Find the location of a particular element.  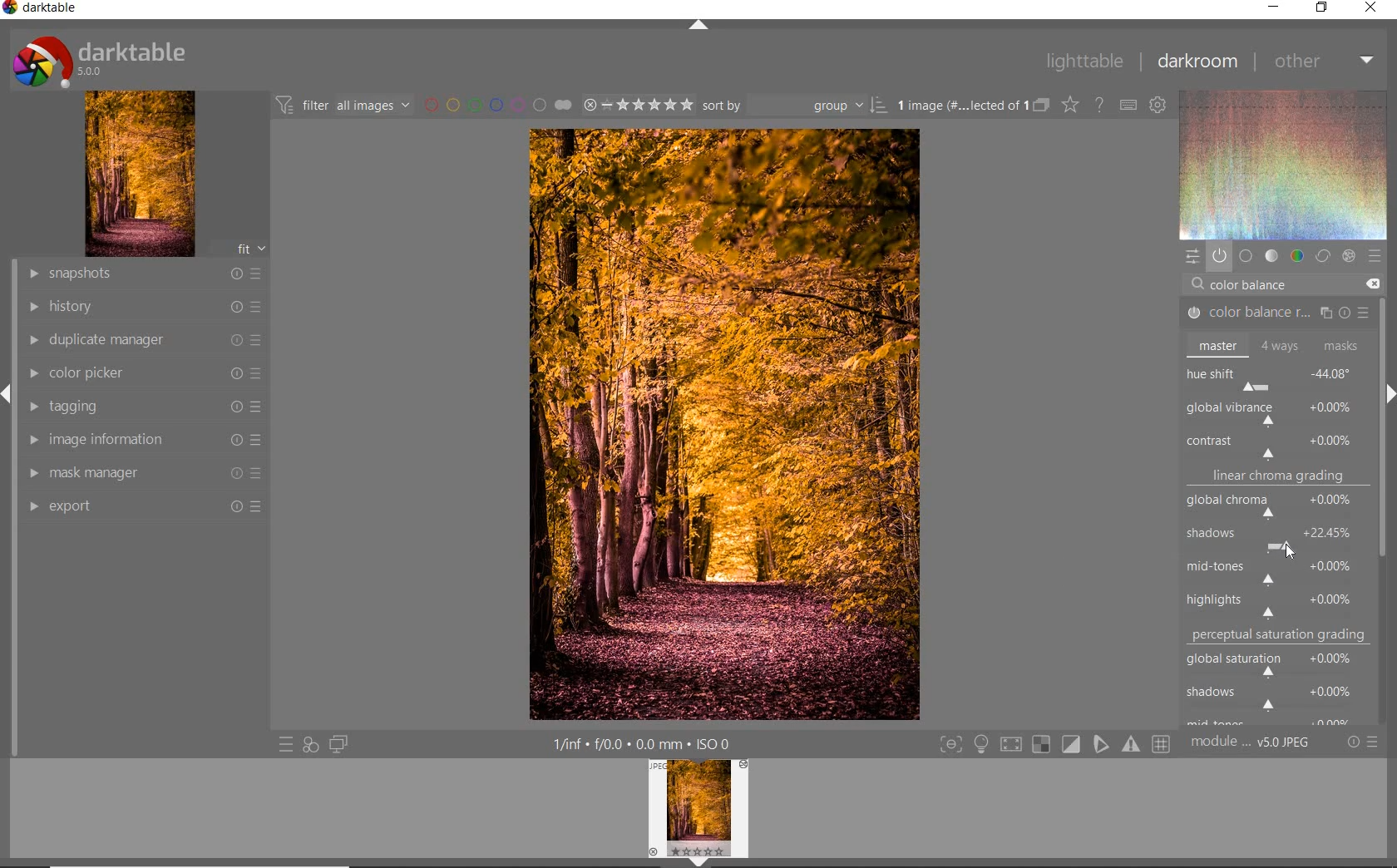

mid-tones is located at coordinates (1274, 570).